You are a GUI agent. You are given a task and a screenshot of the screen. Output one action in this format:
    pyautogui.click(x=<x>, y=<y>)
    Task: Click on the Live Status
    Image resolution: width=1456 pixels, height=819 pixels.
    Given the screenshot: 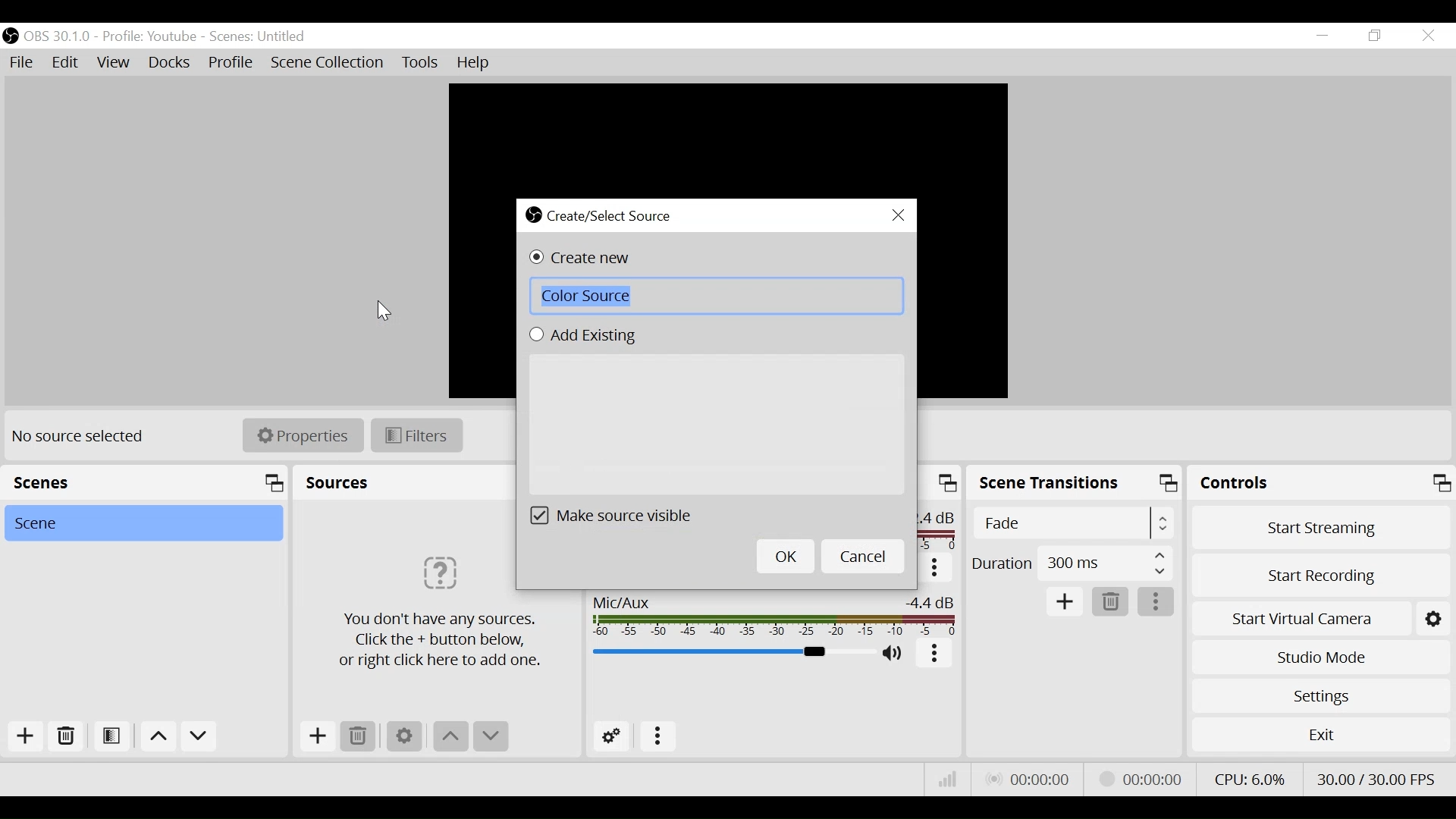 What is the action you would take?
    pyautogui.click(x=1030, y=777)
    